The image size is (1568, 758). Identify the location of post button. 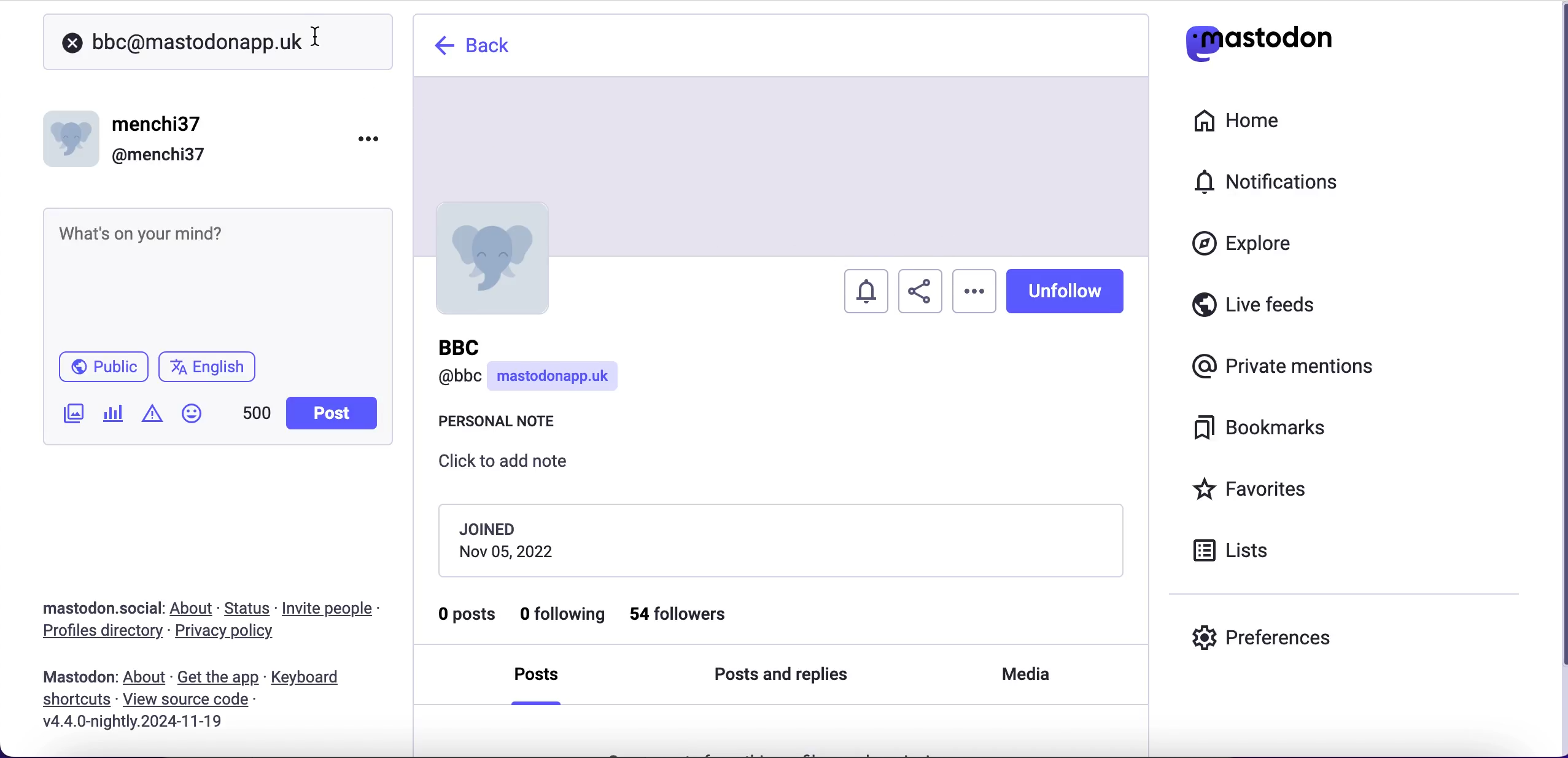
(335, 413).